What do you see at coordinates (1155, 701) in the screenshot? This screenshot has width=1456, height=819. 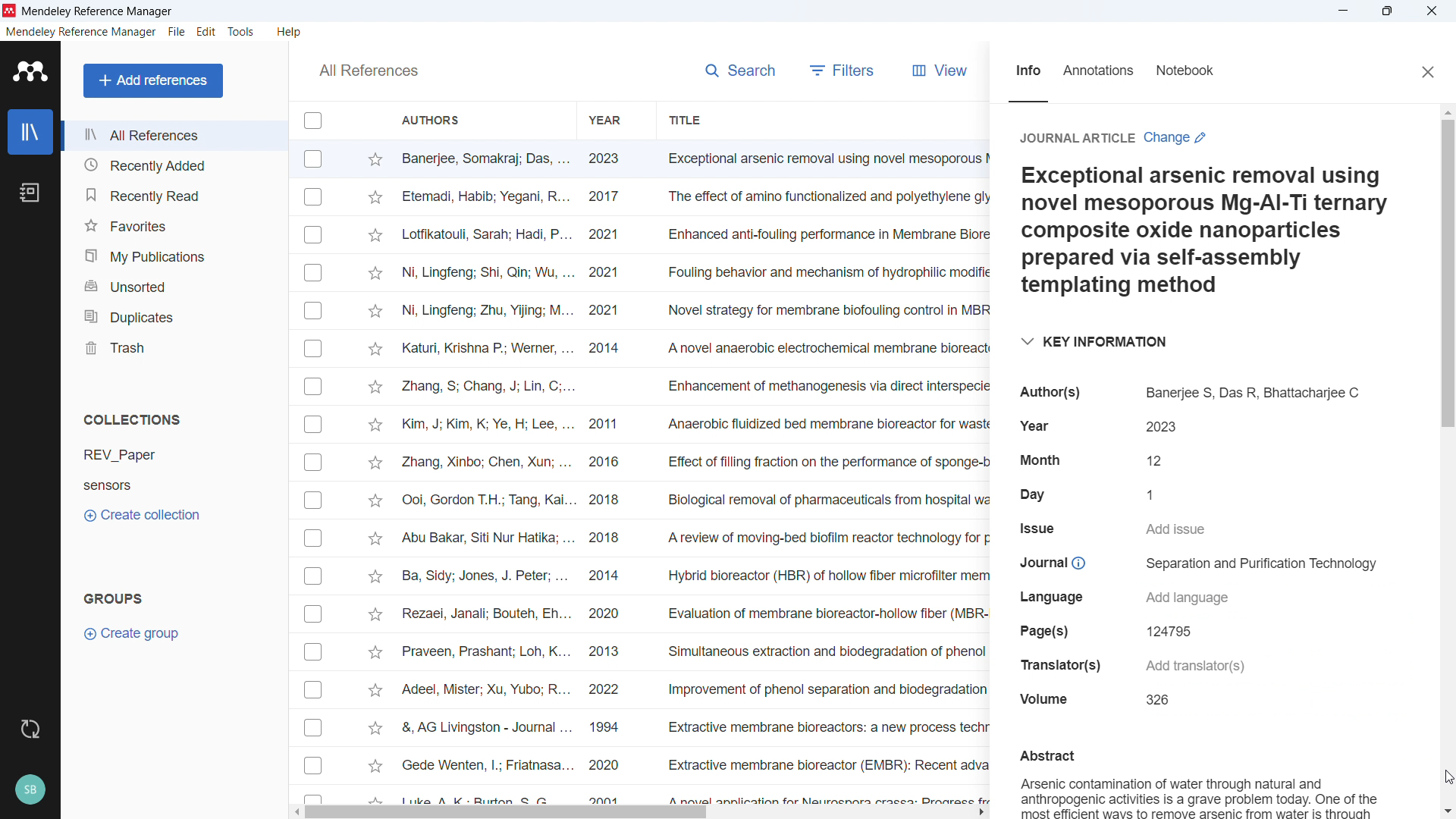 I see `volume-326` at bounding box center [1155, 701].